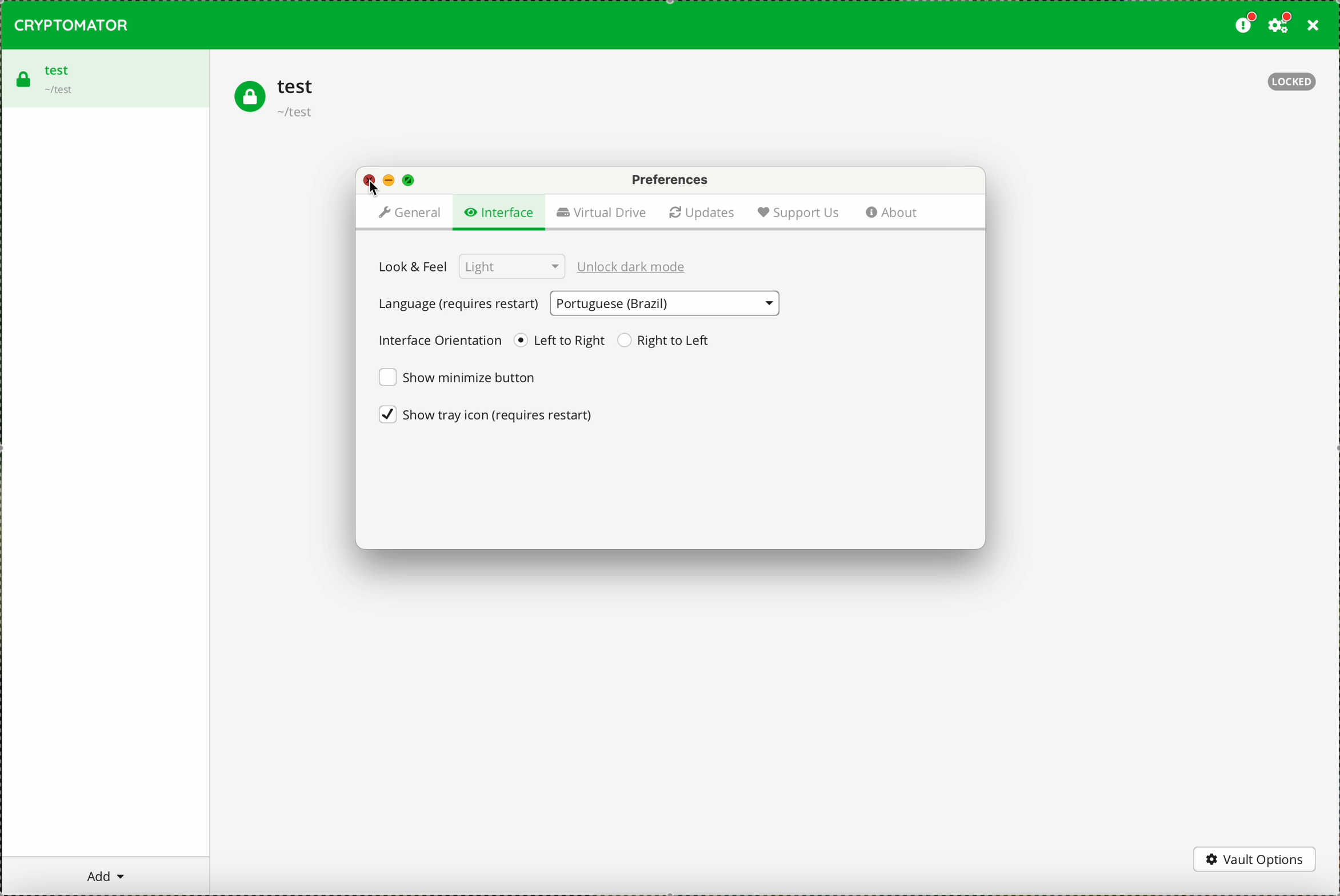 The image size is (1340, 896). What do you see at coordinates (1311, 27) in the screenshot?
I see `close program` at bounding box center [1311, 27].